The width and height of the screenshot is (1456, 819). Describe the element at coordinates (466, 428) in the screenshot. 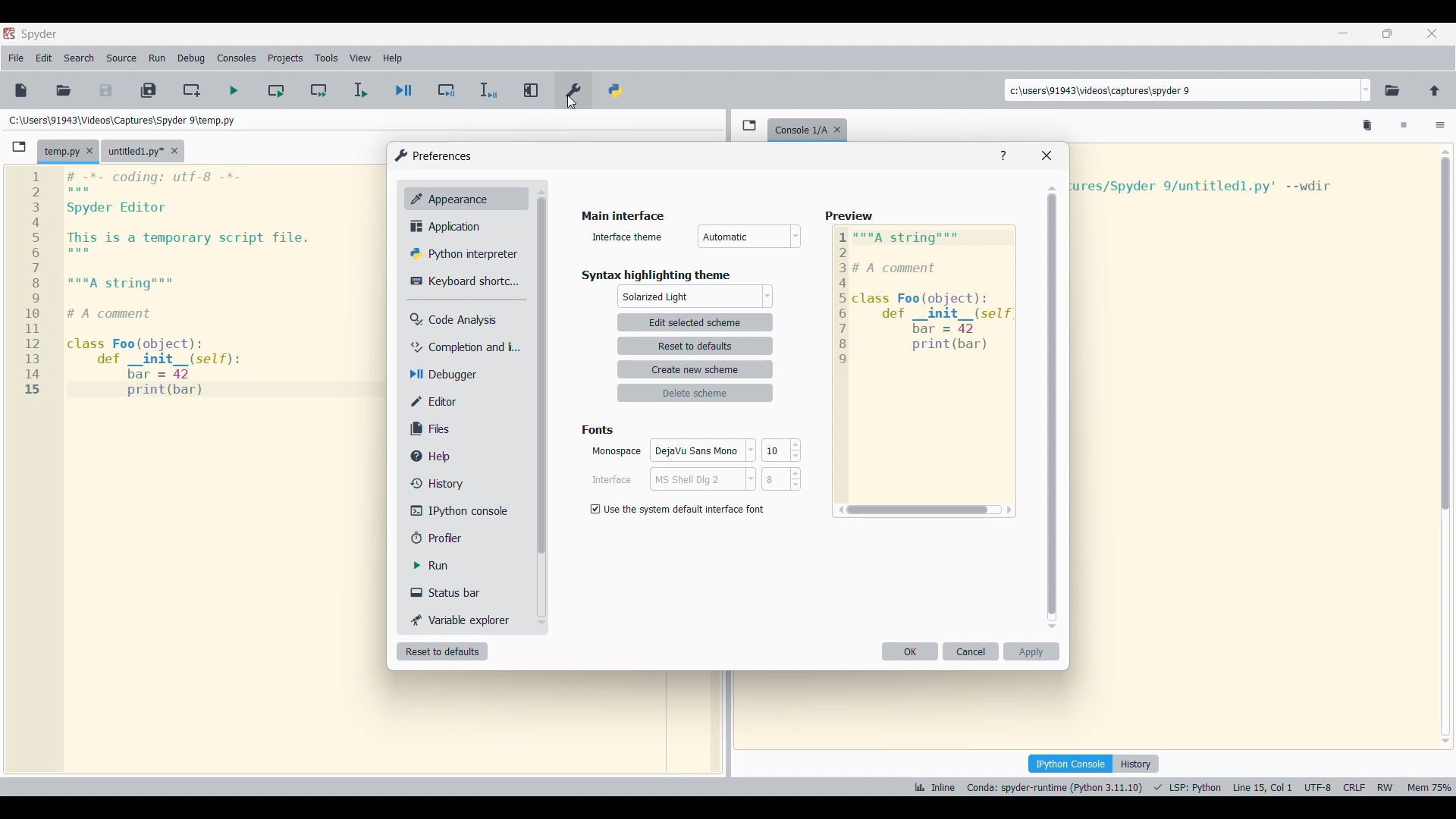

I see `Files` at that location.